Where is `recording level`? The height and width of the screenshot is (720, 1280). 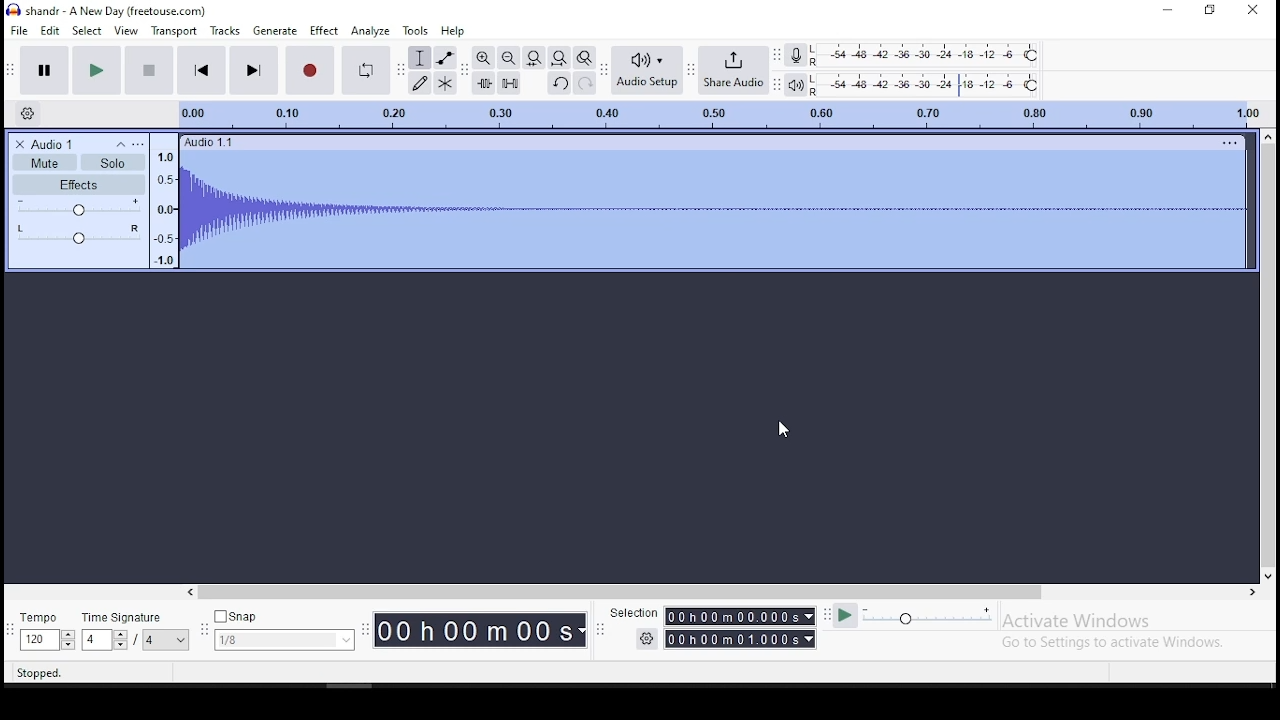 recording level is located at coordinates (929, 53).